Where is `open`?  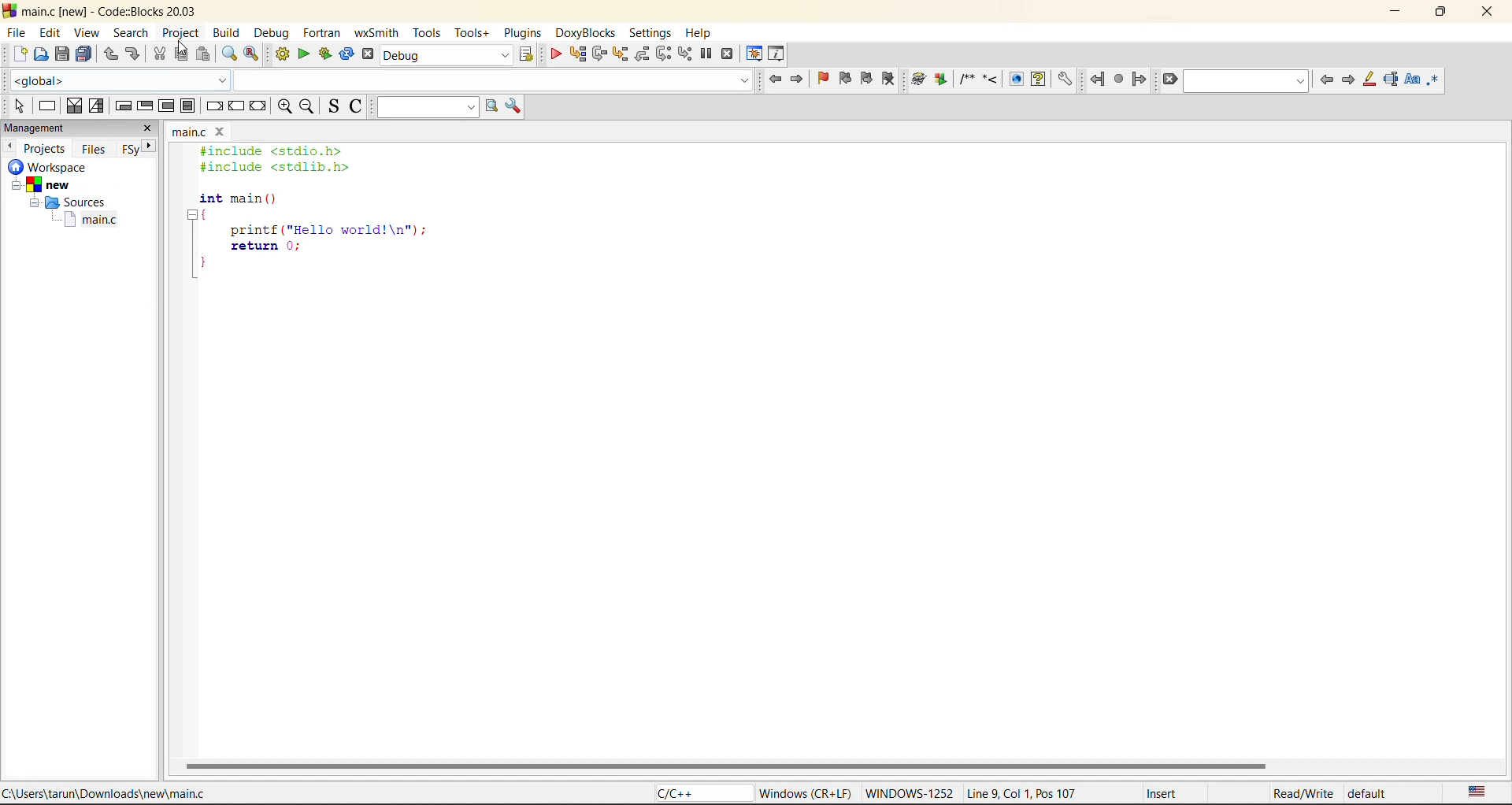
open is located at coordinates (42, 54).